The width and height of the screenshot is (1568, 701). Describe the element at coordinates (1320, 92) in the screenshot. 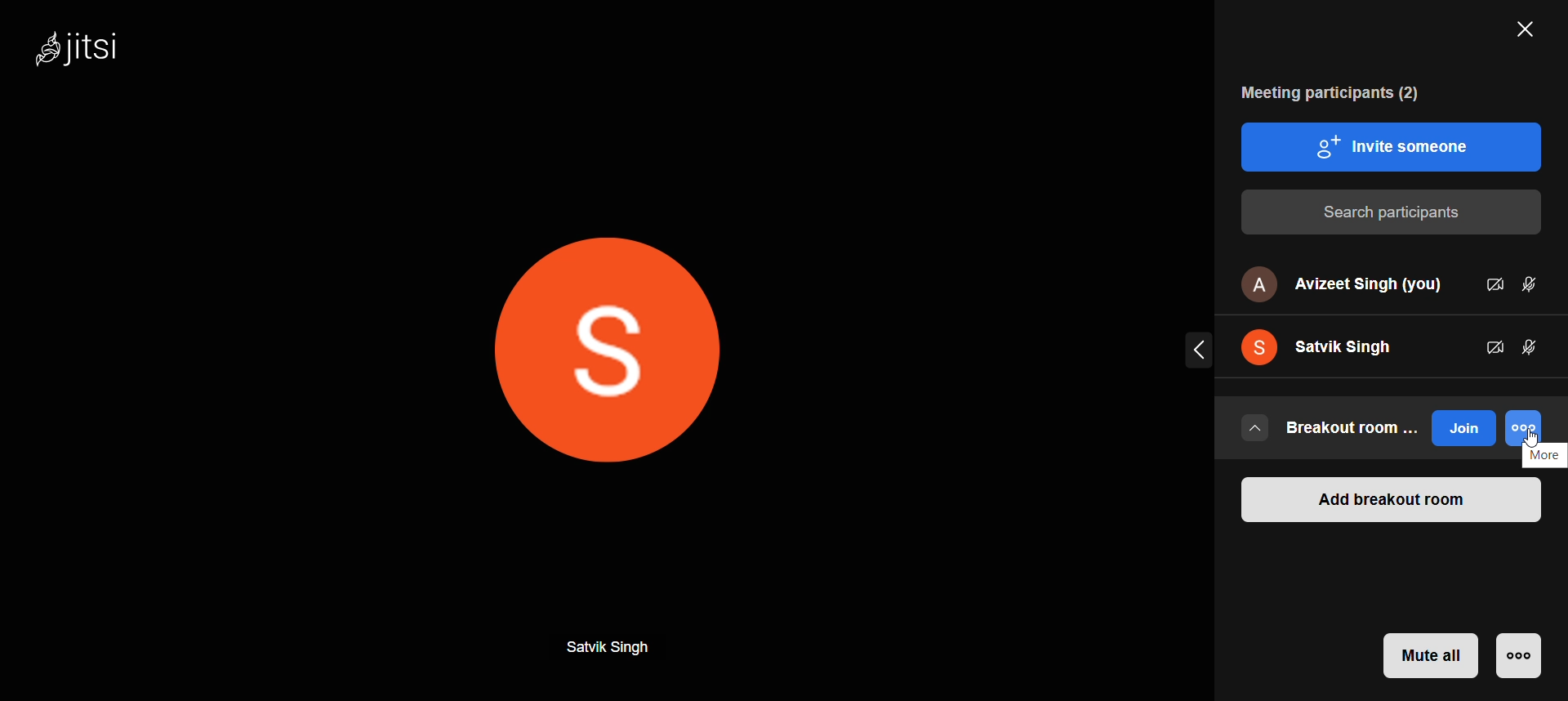

I see `Meeting participants (2)` at that location.